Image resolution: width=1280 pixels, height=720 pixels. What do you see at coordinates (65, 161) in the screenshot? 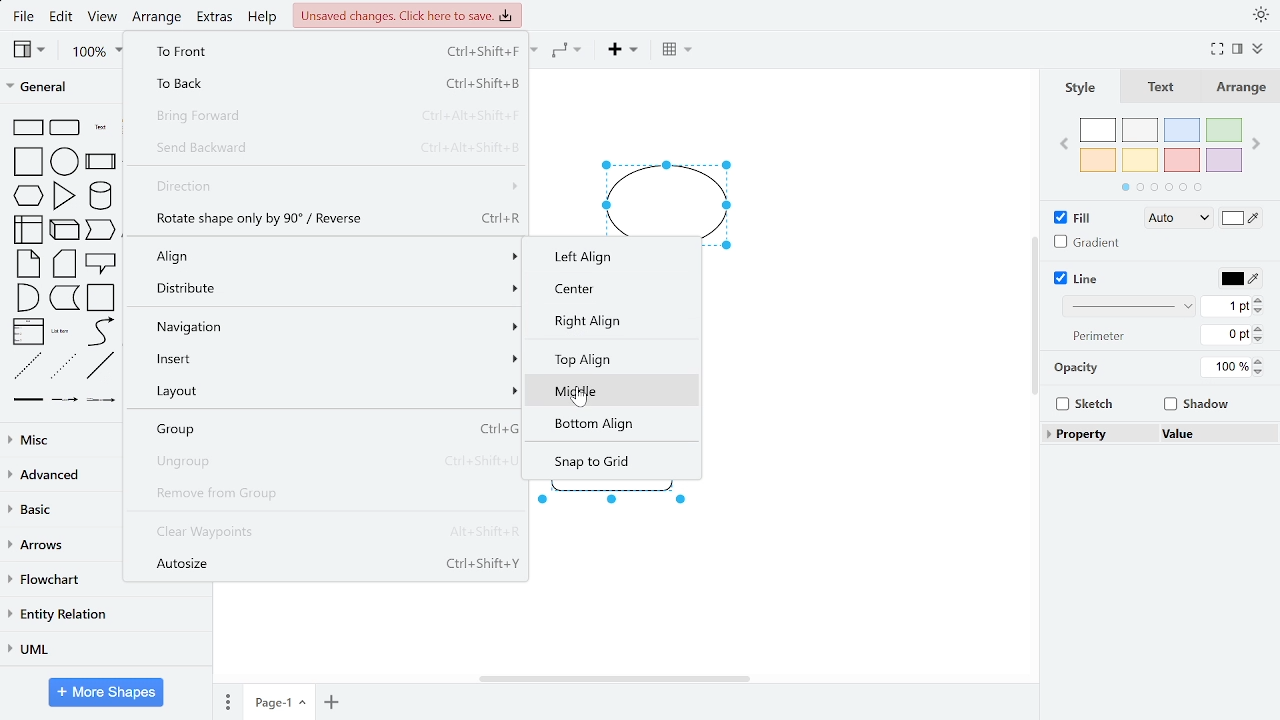
I see `circle` at bounding box center [65, 161].